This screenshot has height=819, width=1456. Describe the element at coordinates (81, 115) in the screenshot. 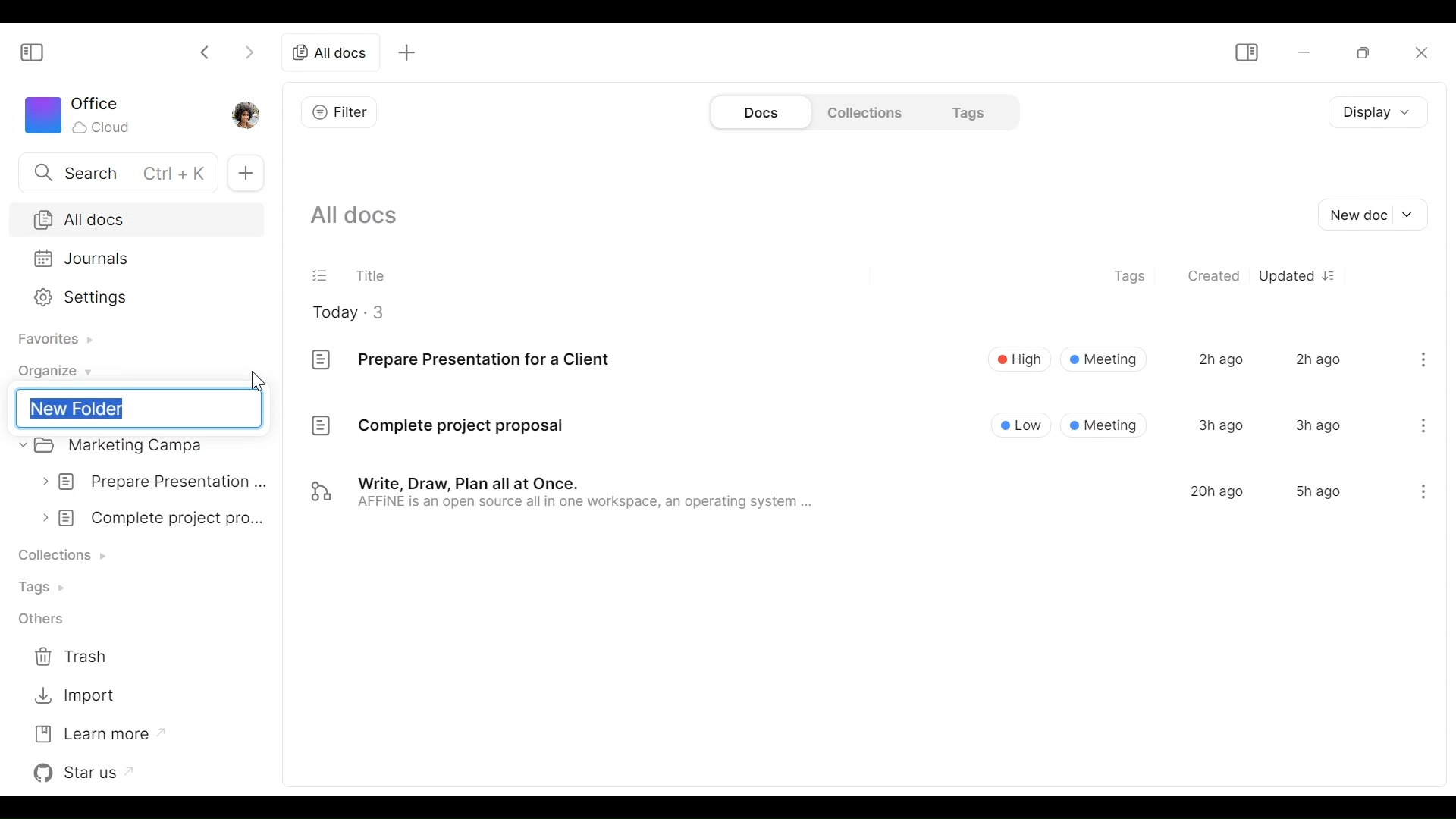

I see `Workspace` at that location.